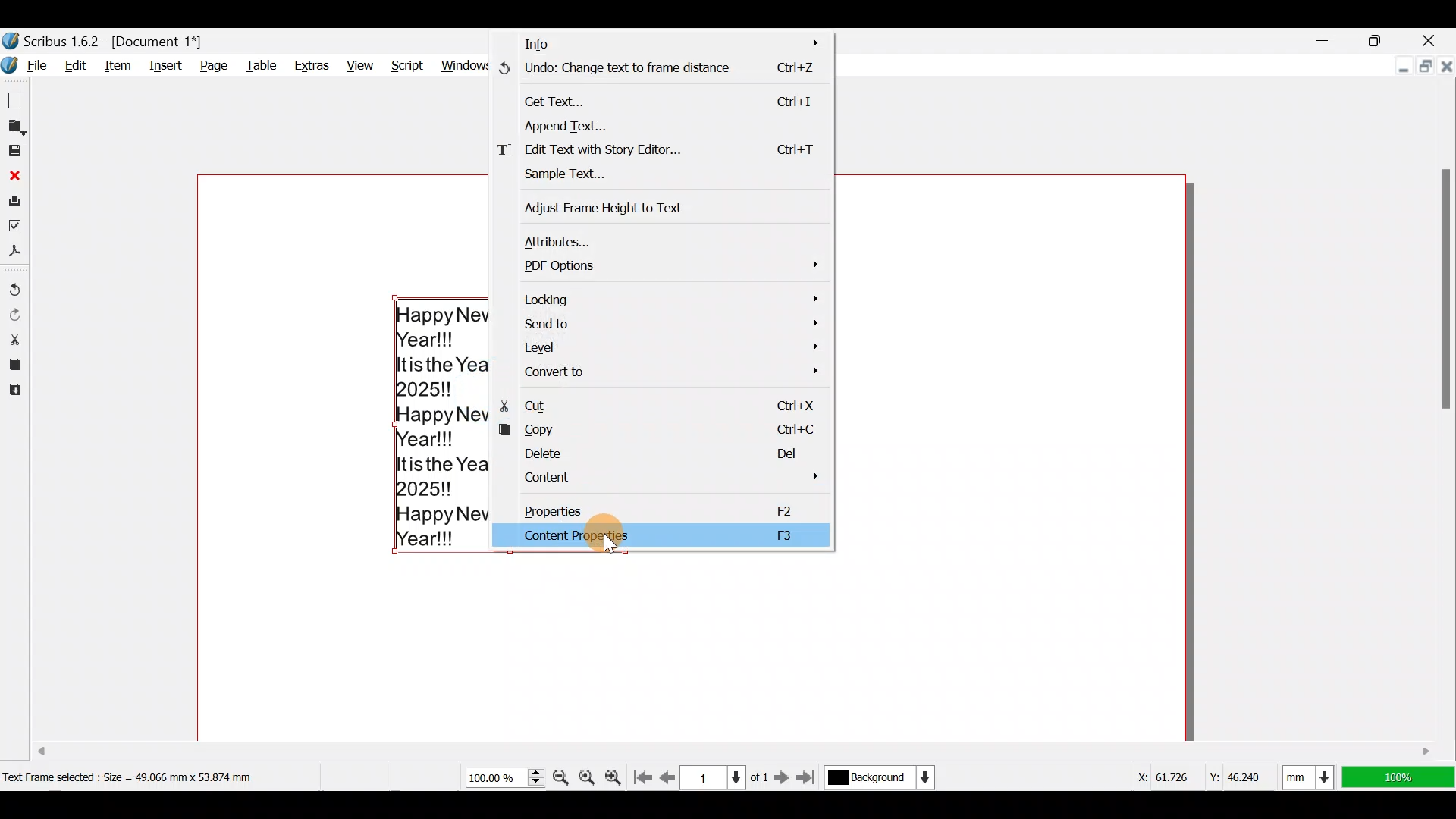  What do you see at coordinates (405, 61) in the screenshot?
I see `Script` at bounding box center [405, 61].